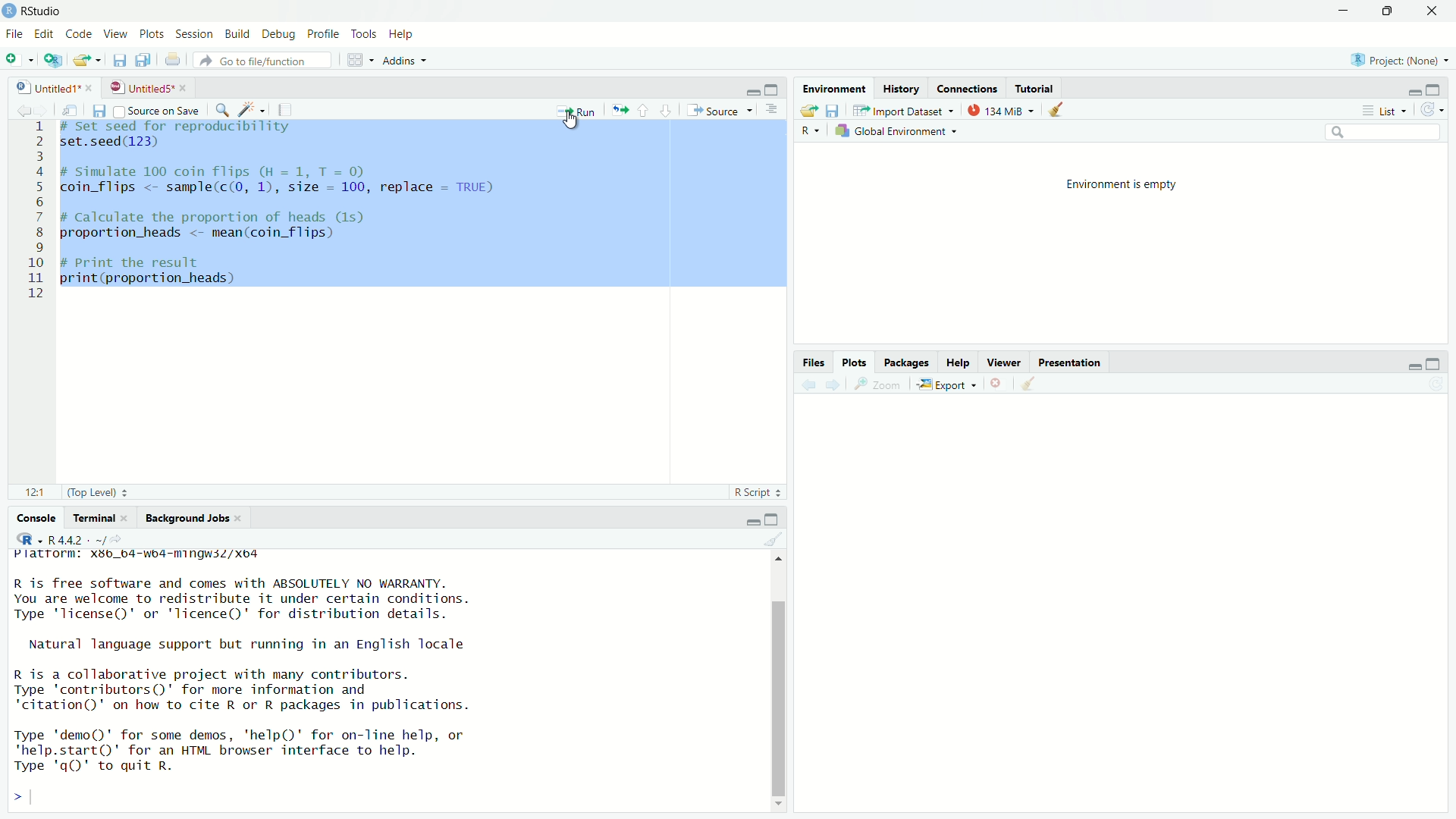  I want to click on save current document, so click(118, 61).